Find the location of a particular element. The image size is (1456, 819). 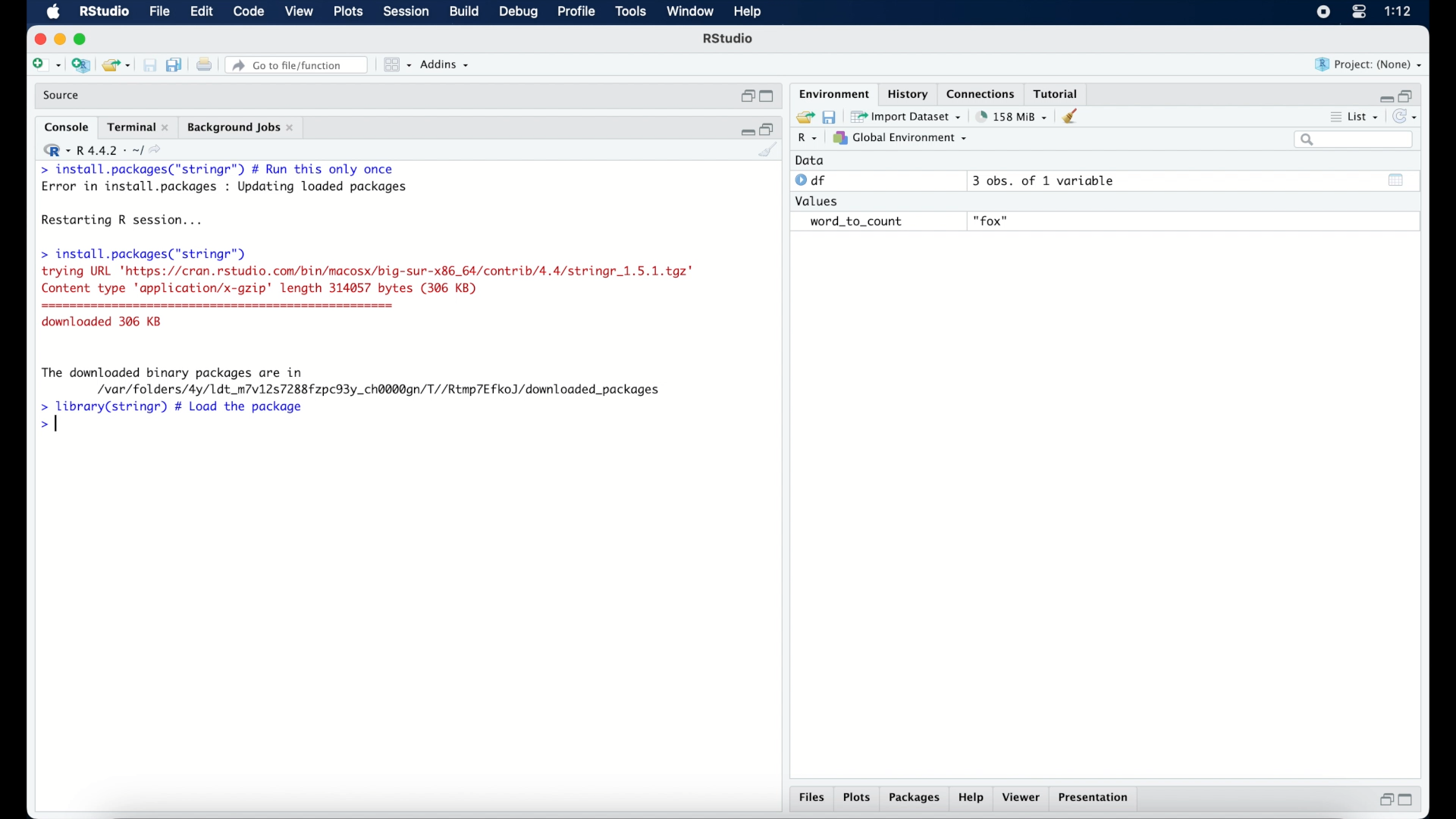

plots is located at coordinates (857, 799).